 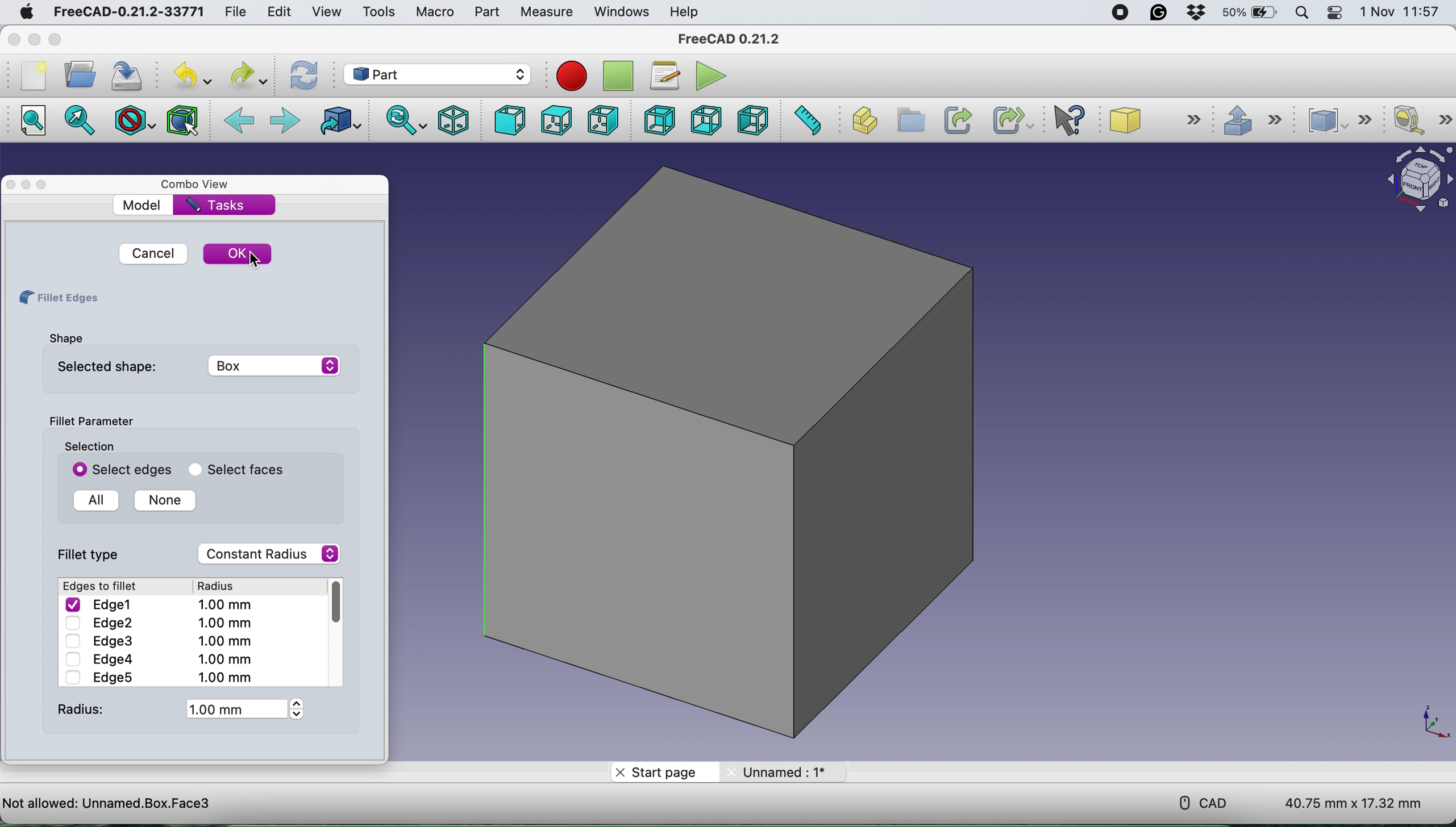 What do you see at coordinates (1421, 119) in the screenshot?
I see `mesure linear` at bounding box center [1421, 119].